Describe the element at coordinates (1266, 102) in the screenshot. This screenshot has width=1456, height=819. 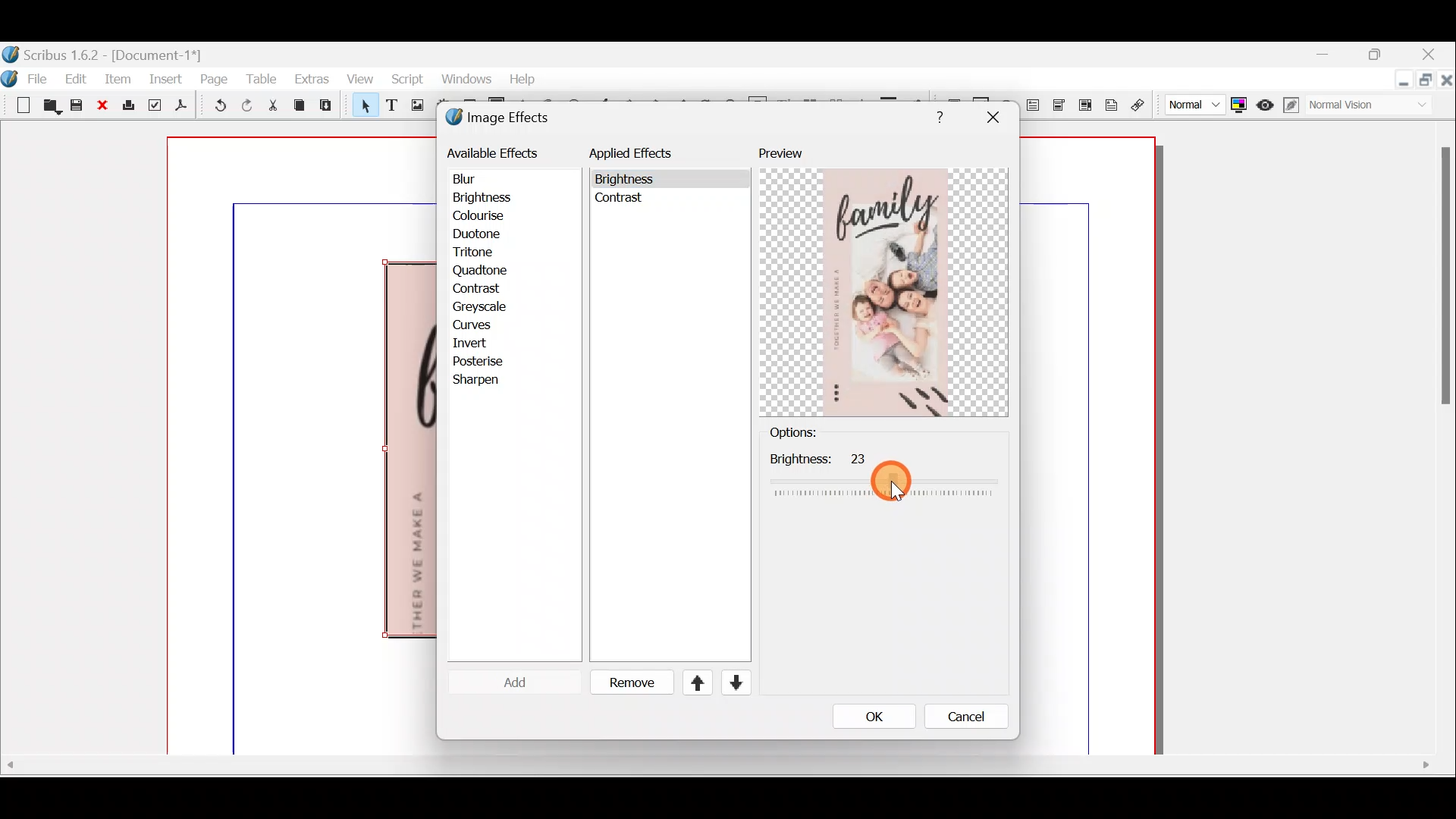
I see `Preview mode` at that location.